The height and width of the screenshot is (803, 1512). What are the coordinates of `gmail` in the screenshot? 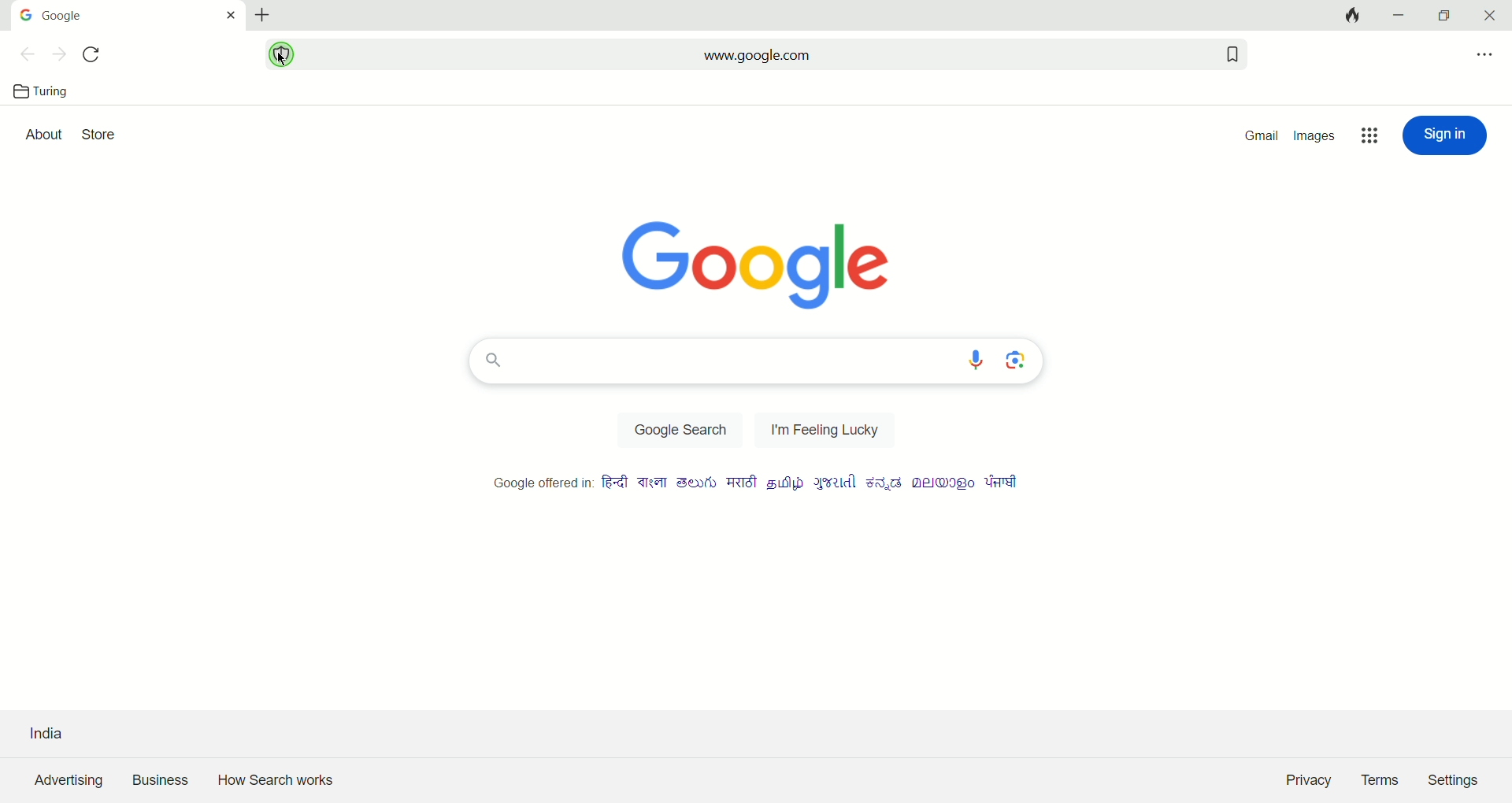 It's located at (1263, 135).